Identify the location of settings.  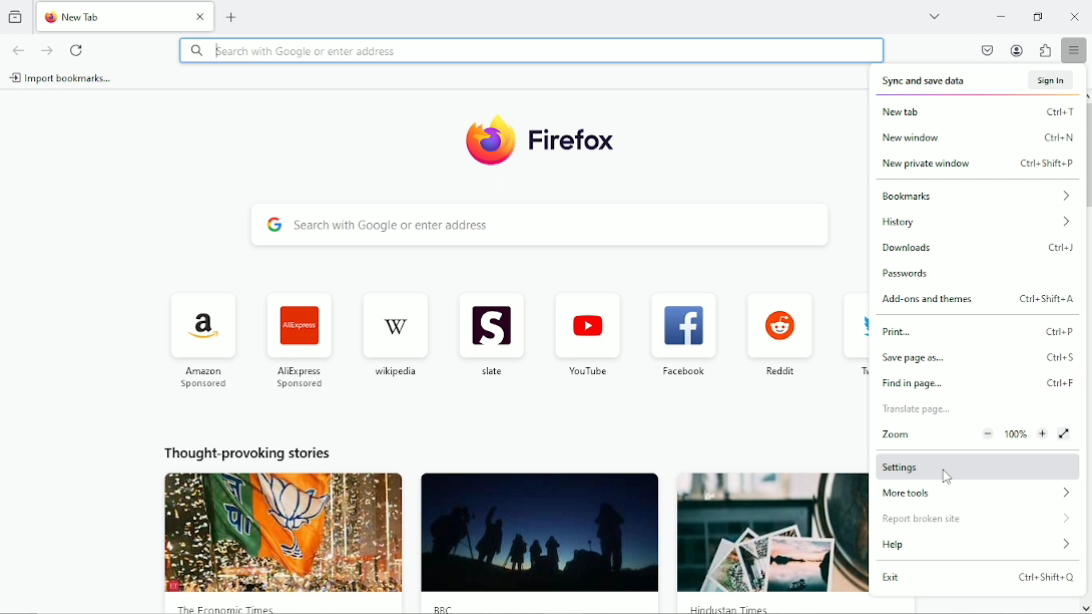
(979, 464).